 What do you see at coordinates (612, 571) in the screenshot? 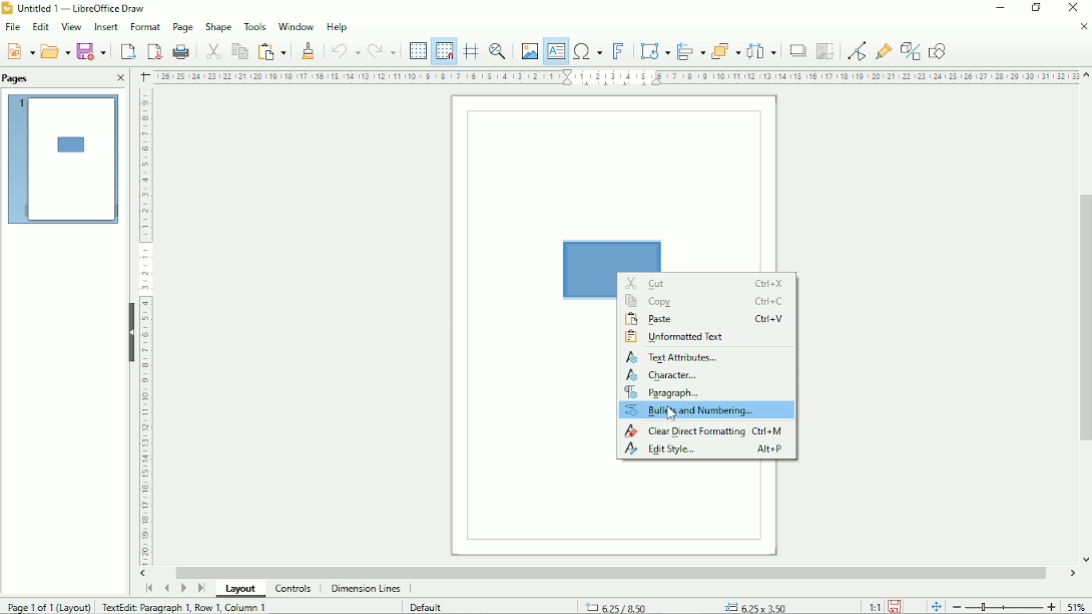
I see `Horizontal scrollbar` at bounding box center [612, 571].